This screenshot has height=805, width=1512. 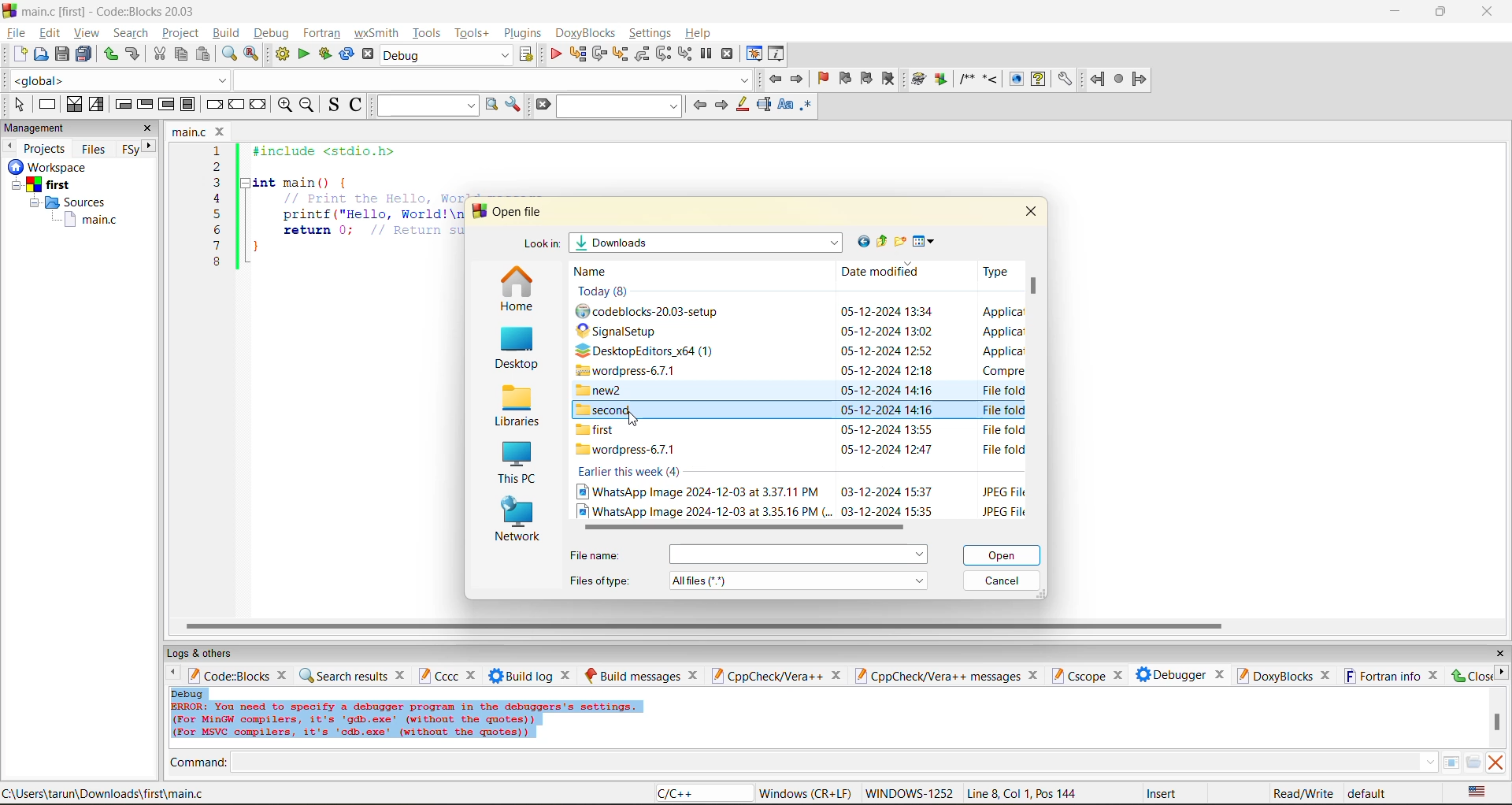 What do you see at coordinates (926, 242) in the screenshot?
I see `view menu` at bounding box center [926, 242].